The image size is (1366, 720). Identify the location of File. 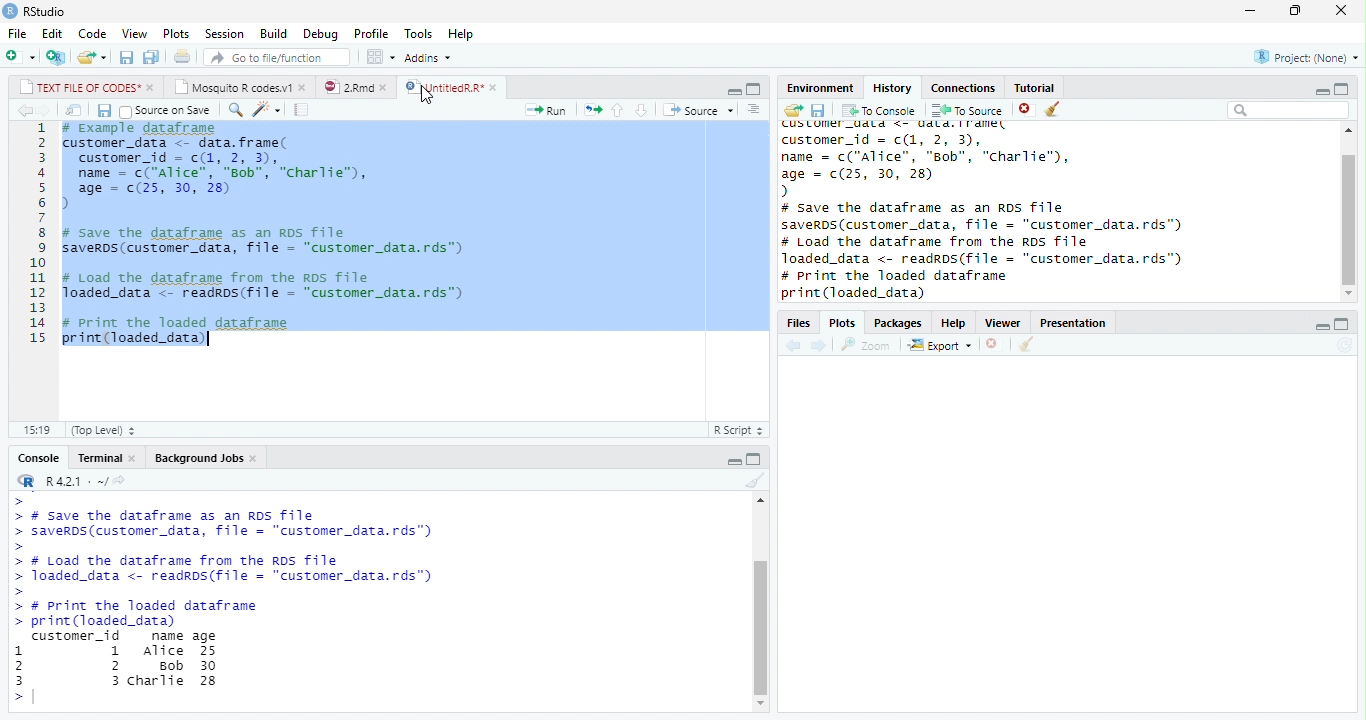
(17, 33).